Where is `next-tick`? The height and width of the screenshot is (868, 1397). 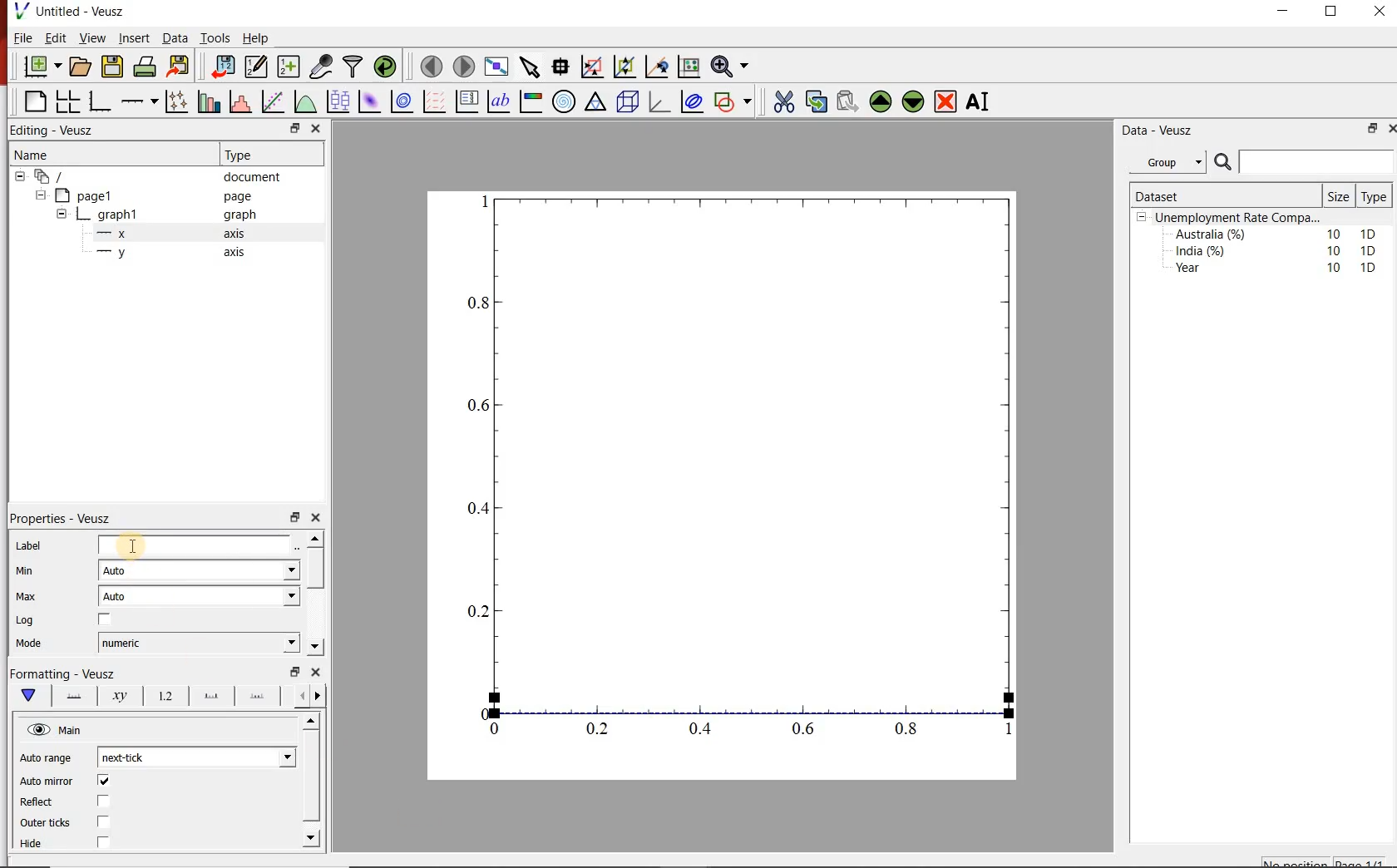 next-tick is located at coordinates (198, 755).